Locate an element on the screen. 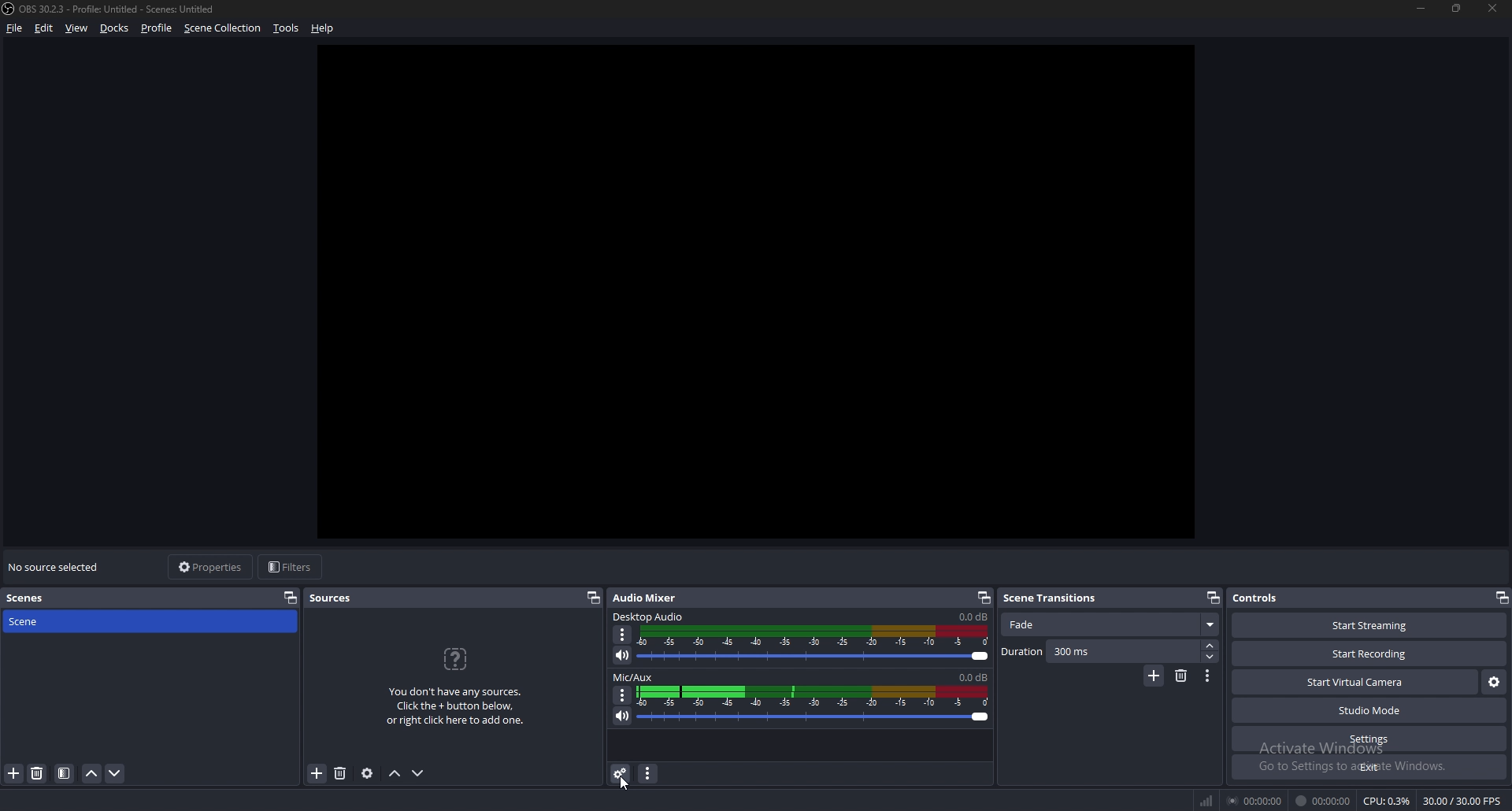  options is located at coordinates (624, 635).